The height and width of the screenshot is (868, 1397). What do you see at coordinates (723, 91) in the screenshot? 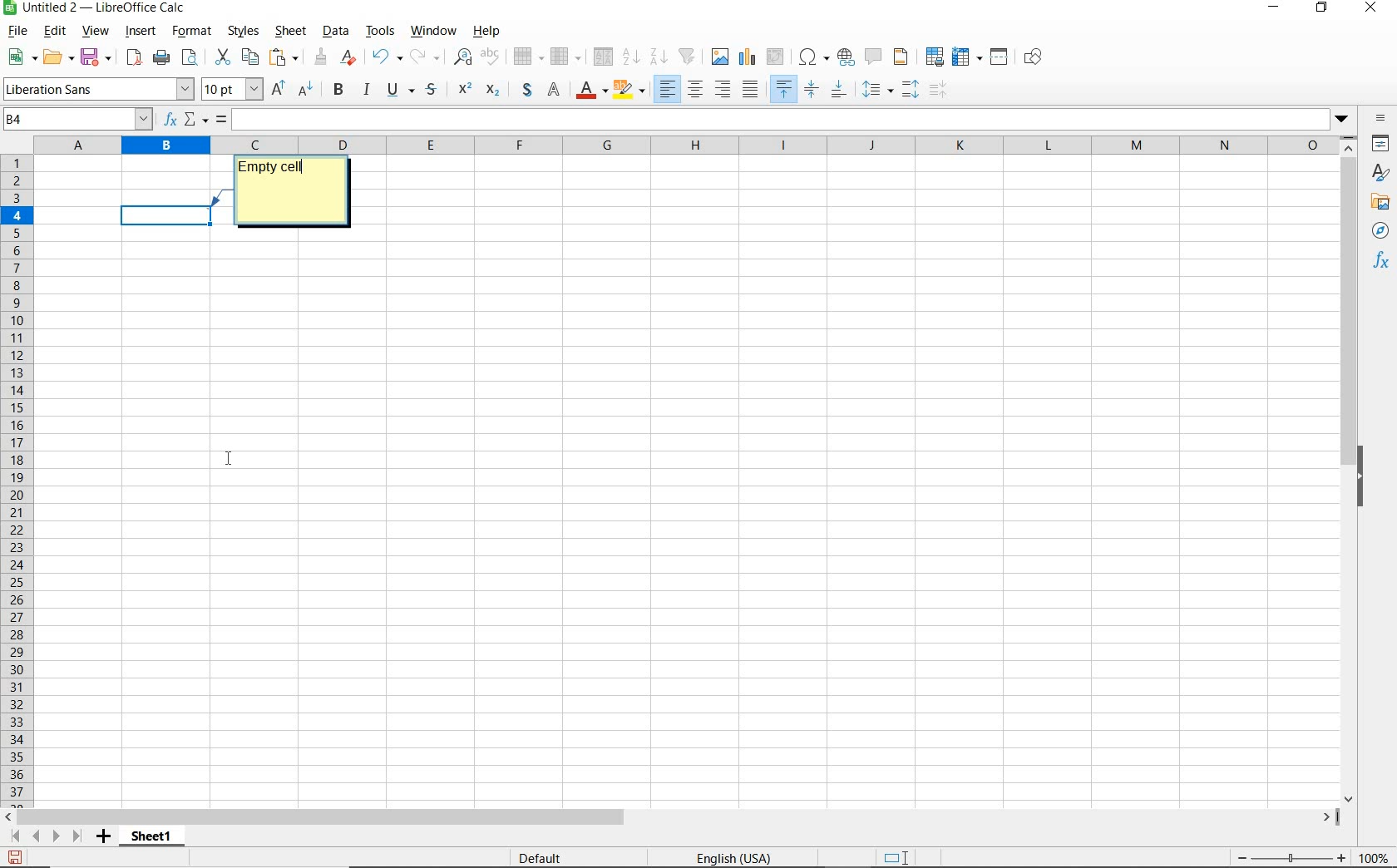
I see `Align right` at bounding box center [723, 91].